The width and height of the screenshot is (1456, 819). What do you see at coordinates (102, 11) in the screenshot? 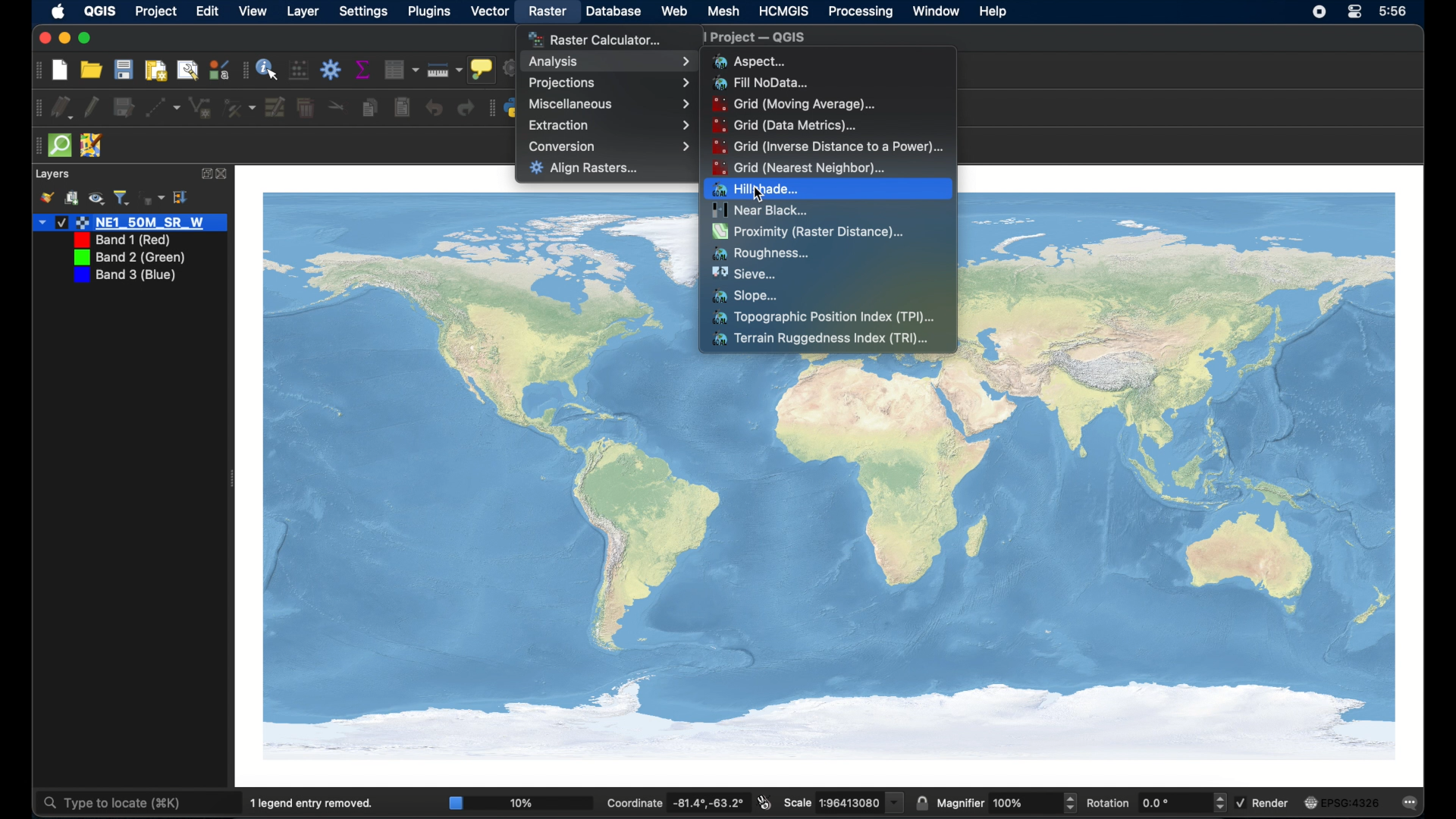
I see `QGIS` at bounding box center [102, 11].